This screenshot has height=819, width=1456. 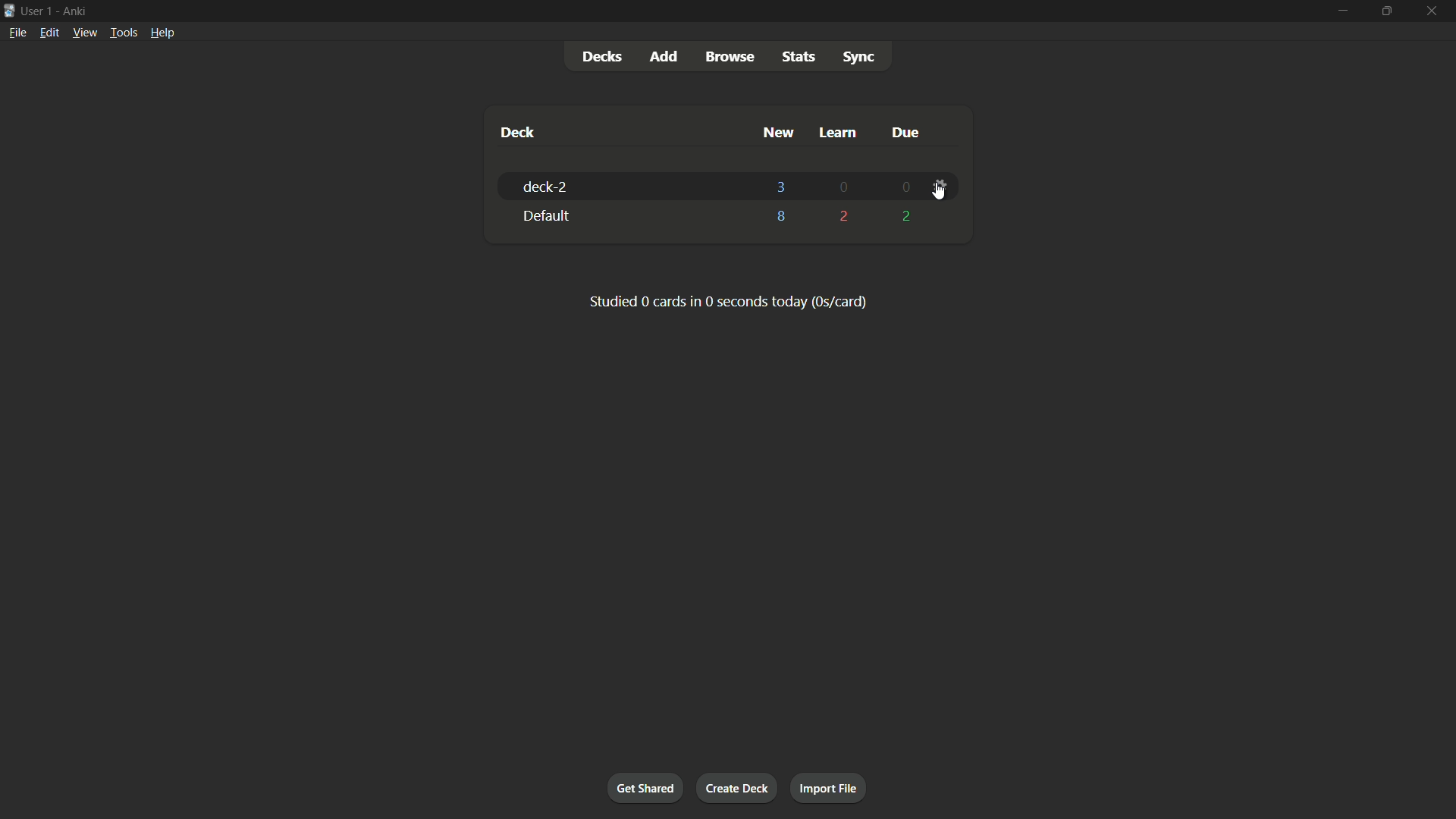 What do you see at coordinates (939, 188) in the screenshot?
I see `settings` at bounding box center [939, 188].